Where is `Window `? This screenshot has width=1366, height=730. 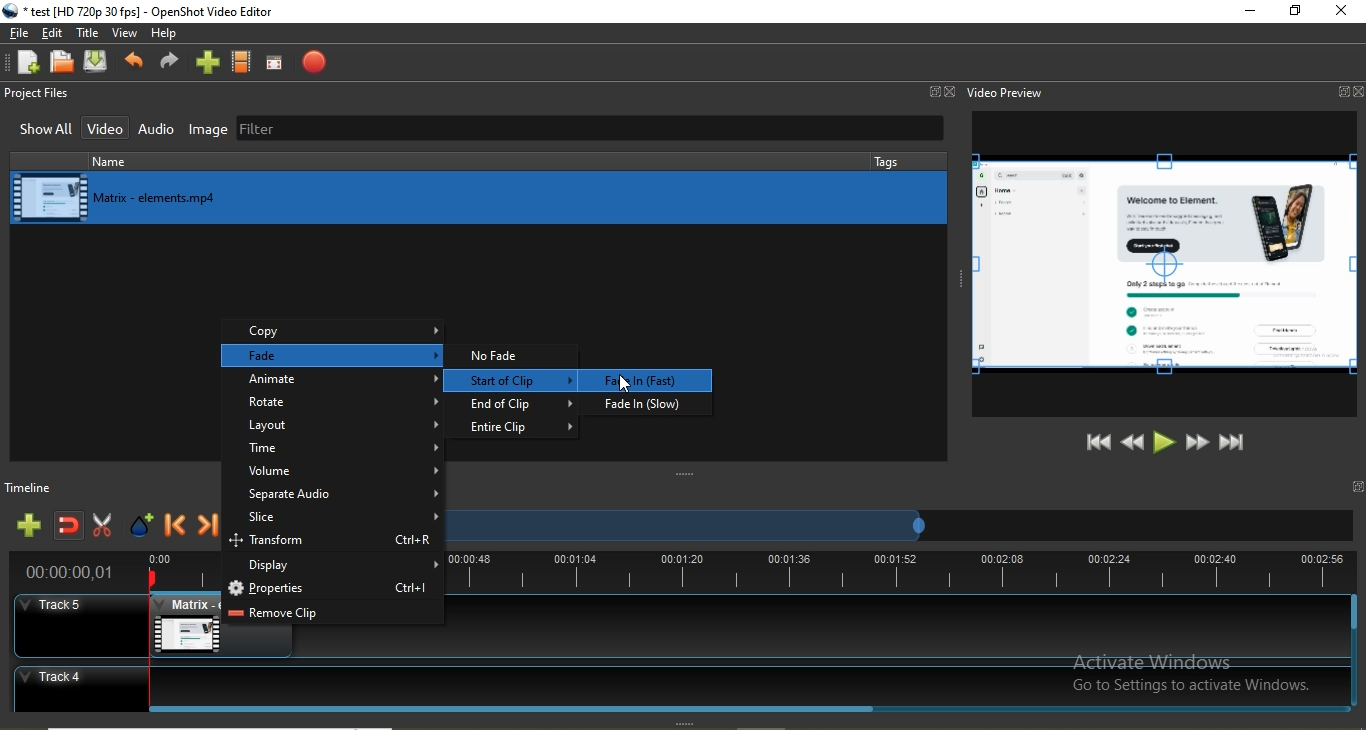
Window  is located at coordinates (935, 91).